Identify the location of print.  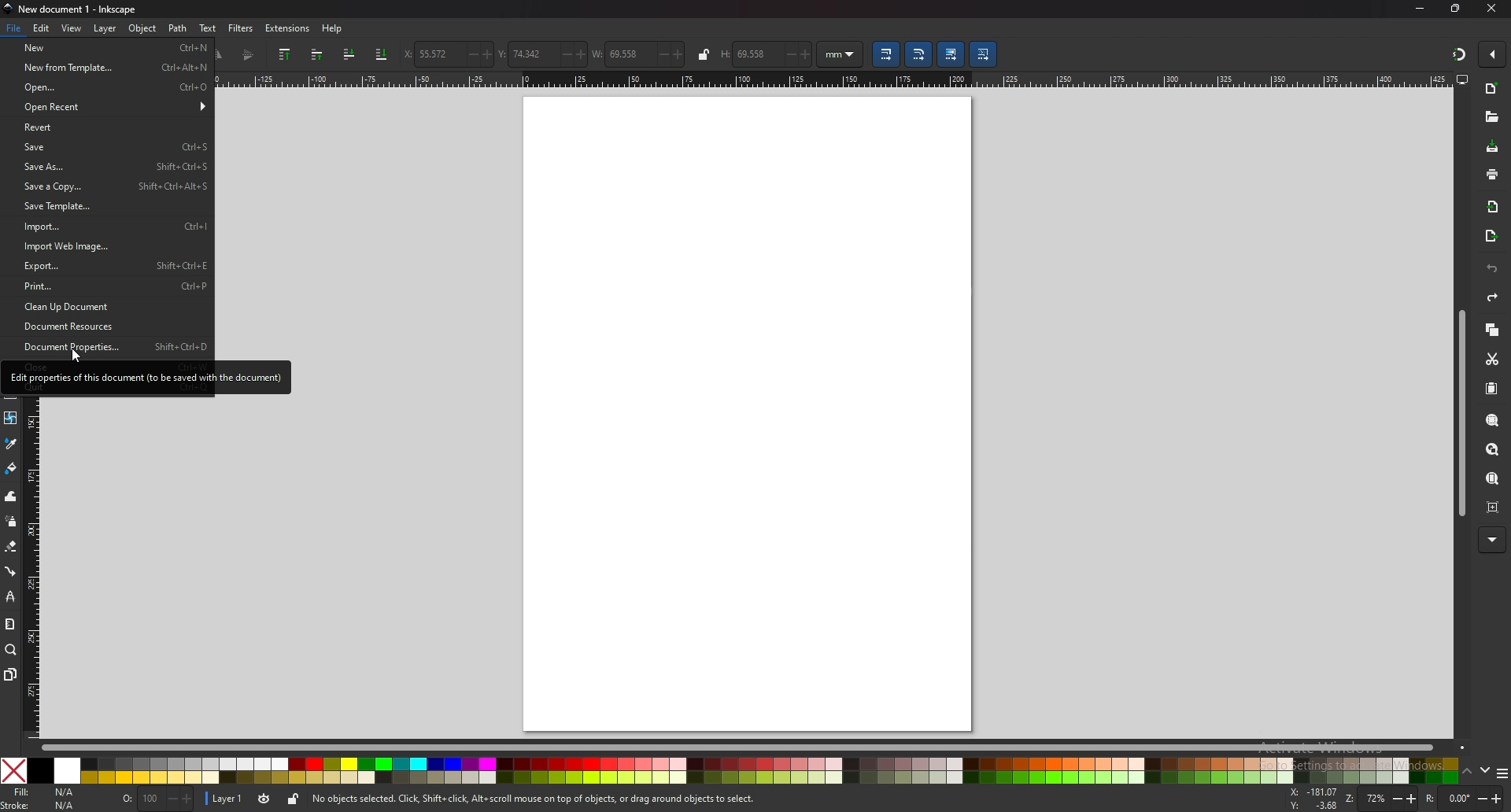
(107, 285).